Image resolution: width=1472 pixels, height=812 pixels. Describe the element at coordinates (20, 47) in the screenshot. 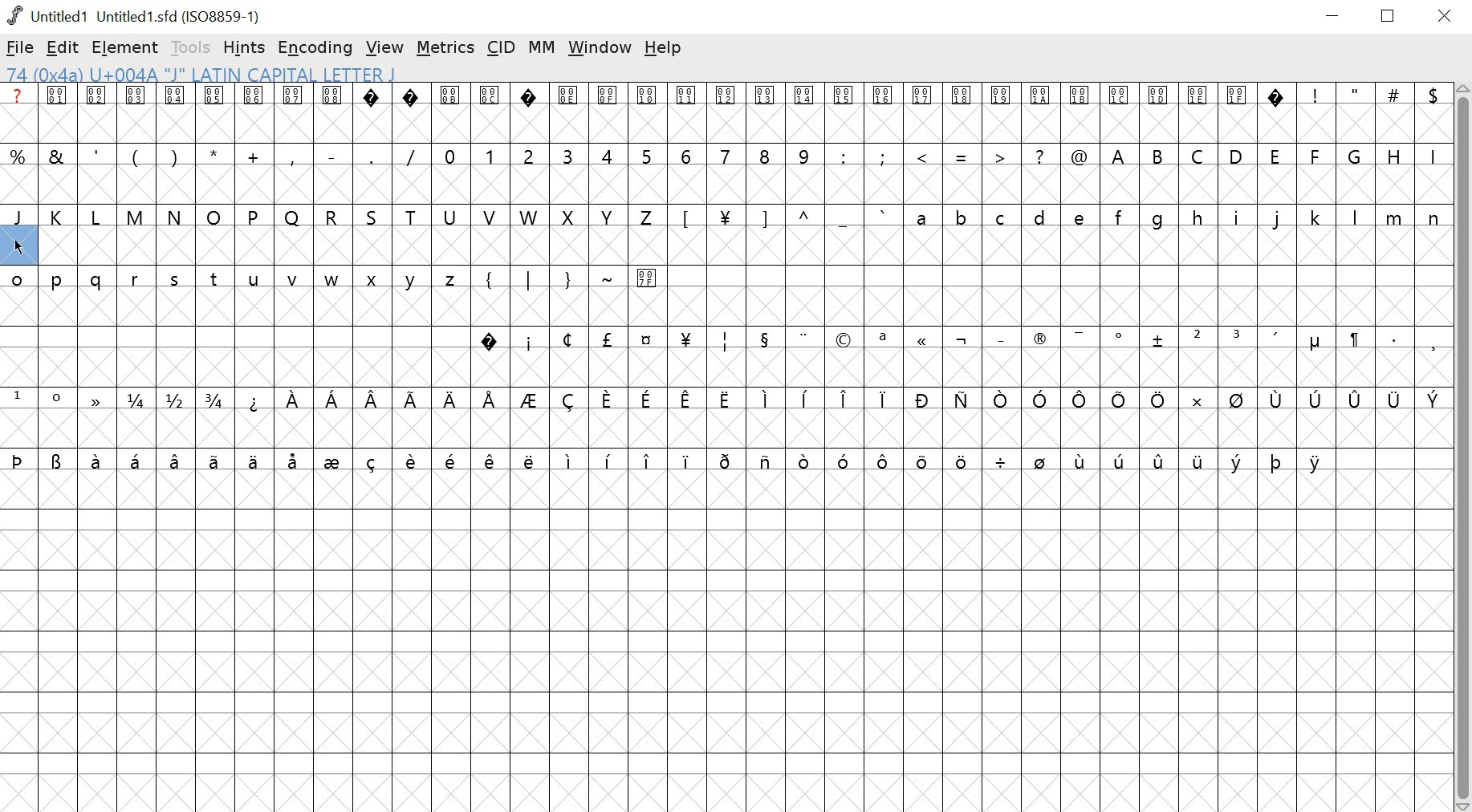

I see `FILE` at that location.